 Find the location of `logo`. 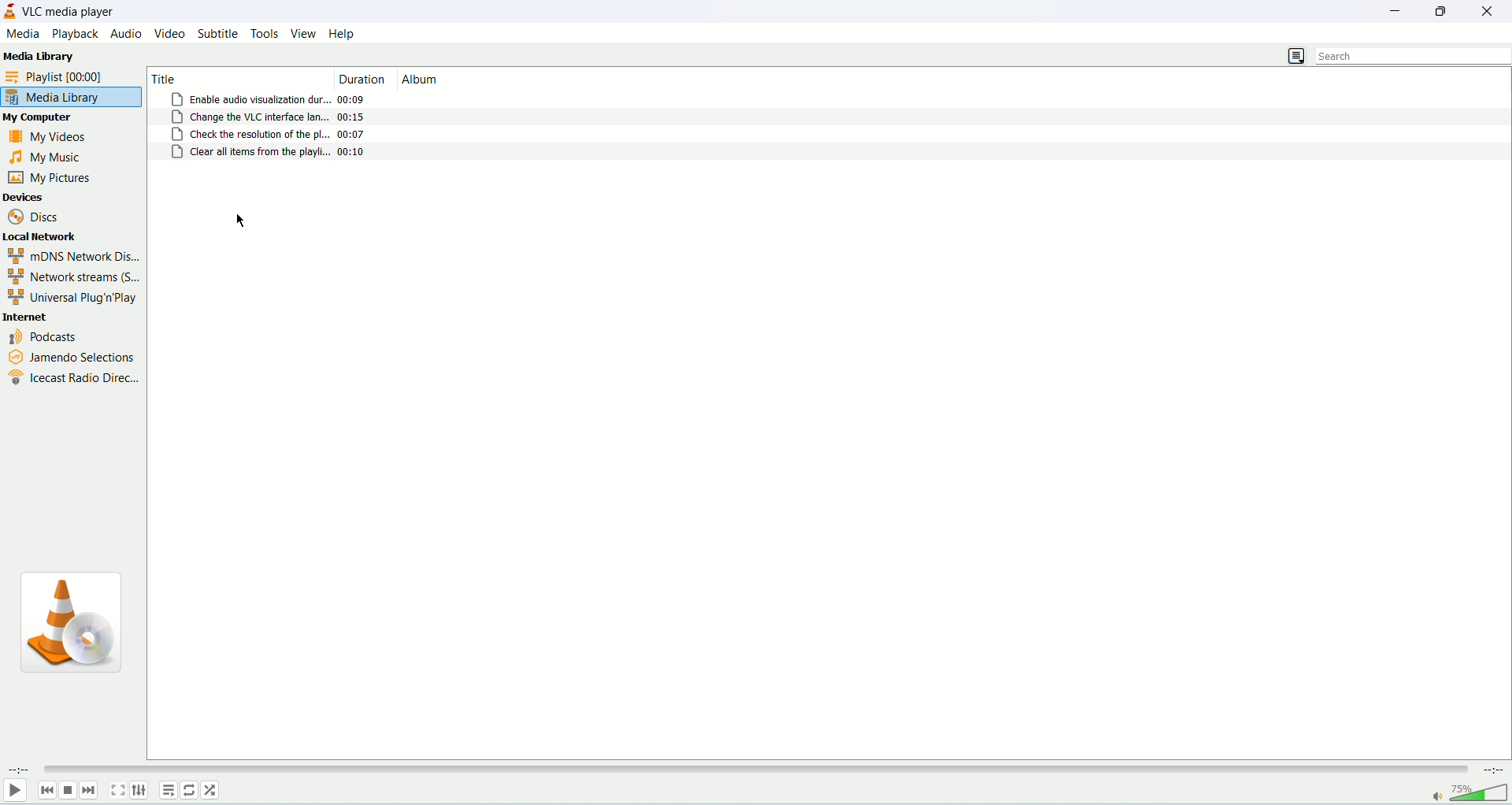

logo is located at coordinates (11, 11).